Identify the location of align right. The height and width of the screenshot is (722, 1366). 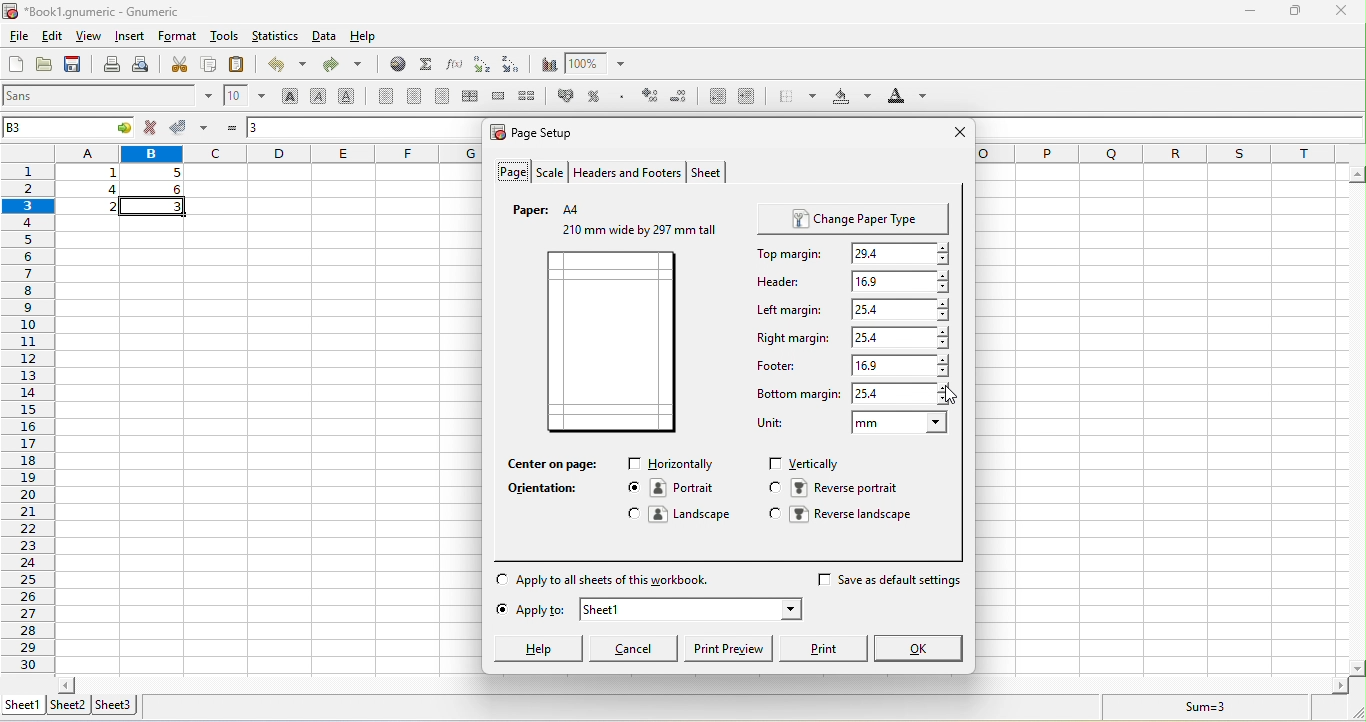
(445, 96).